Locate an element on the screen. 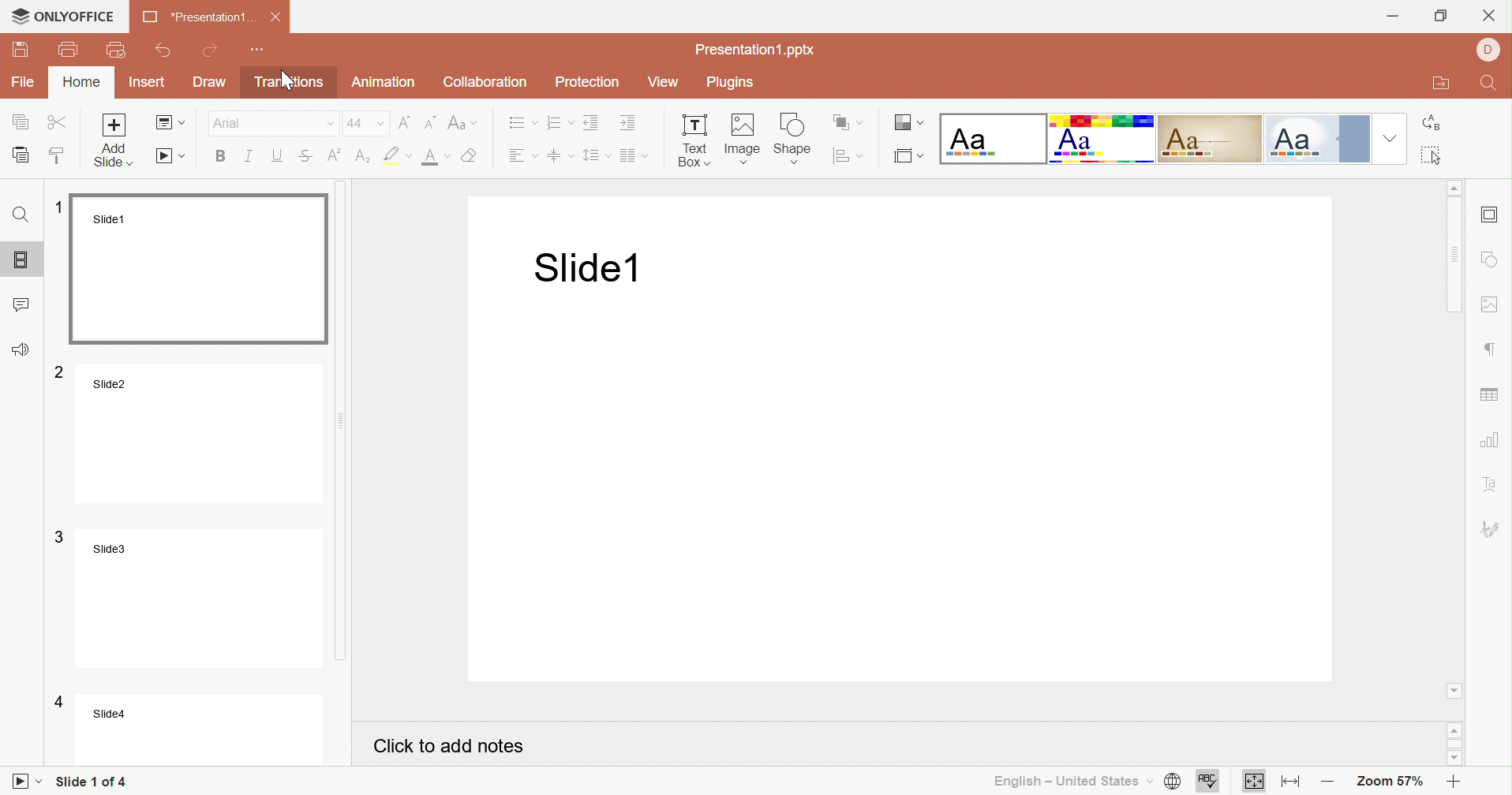 The width and height of the screenshot is (1512, 795). Insert chart is located at coordinates (1491, 440).